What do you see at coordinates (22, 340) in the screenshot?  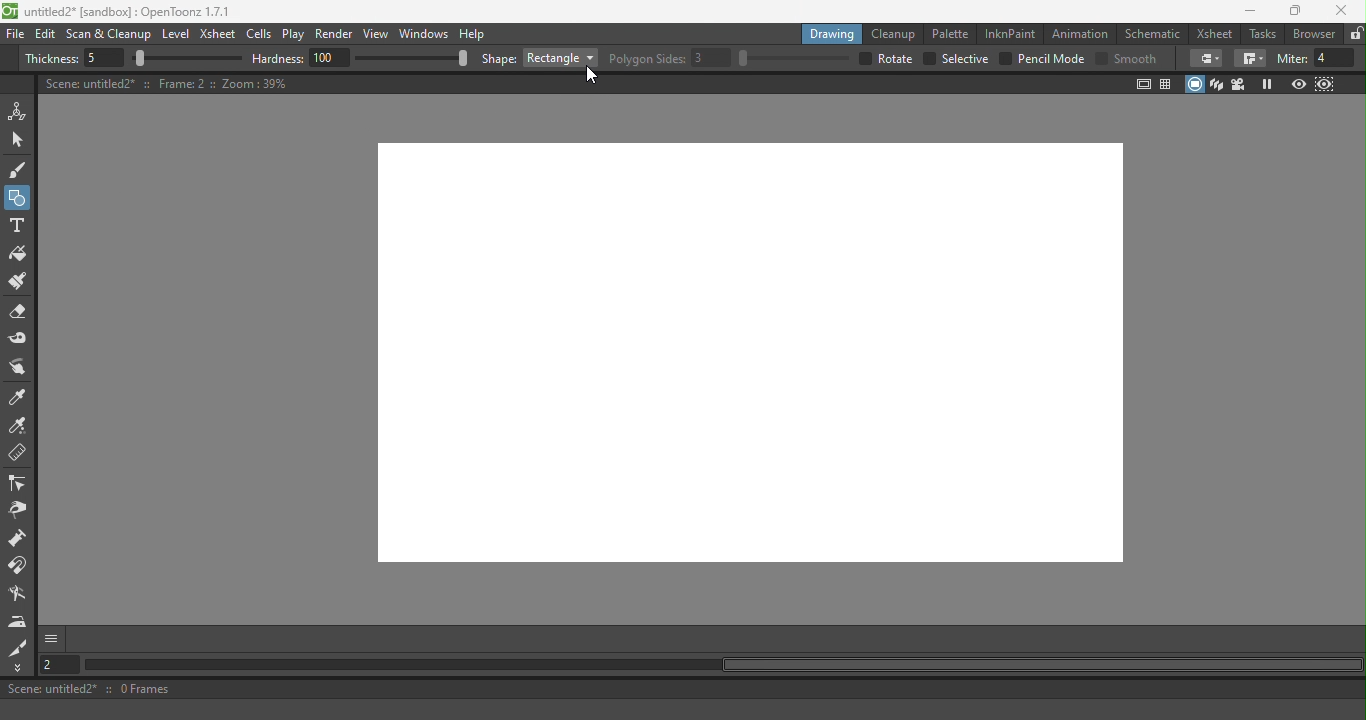 I see `Tape tool` at bounding box center [22, 340].